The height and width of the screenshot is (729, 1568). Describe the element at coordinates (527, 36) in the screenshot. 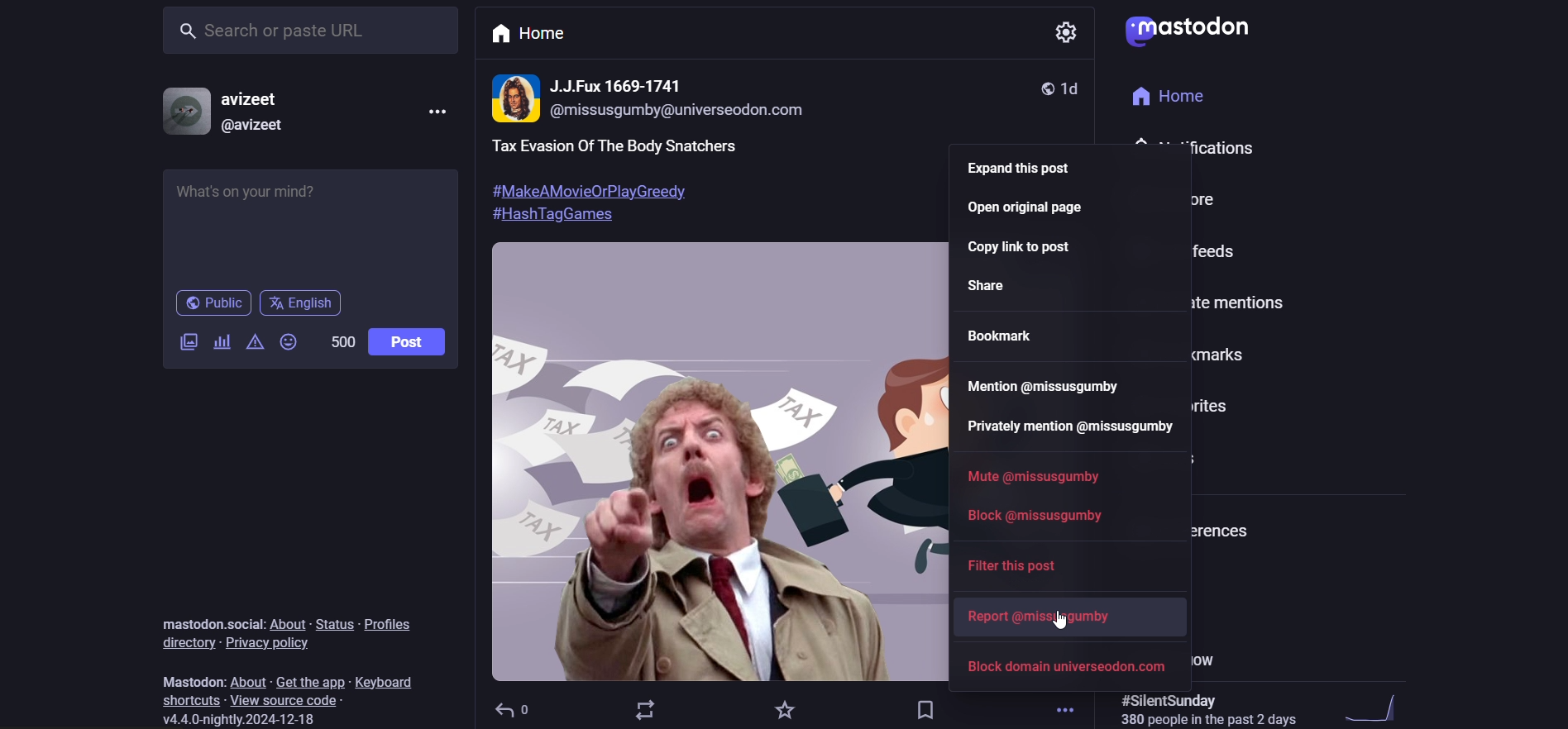

I see `home` at that location.